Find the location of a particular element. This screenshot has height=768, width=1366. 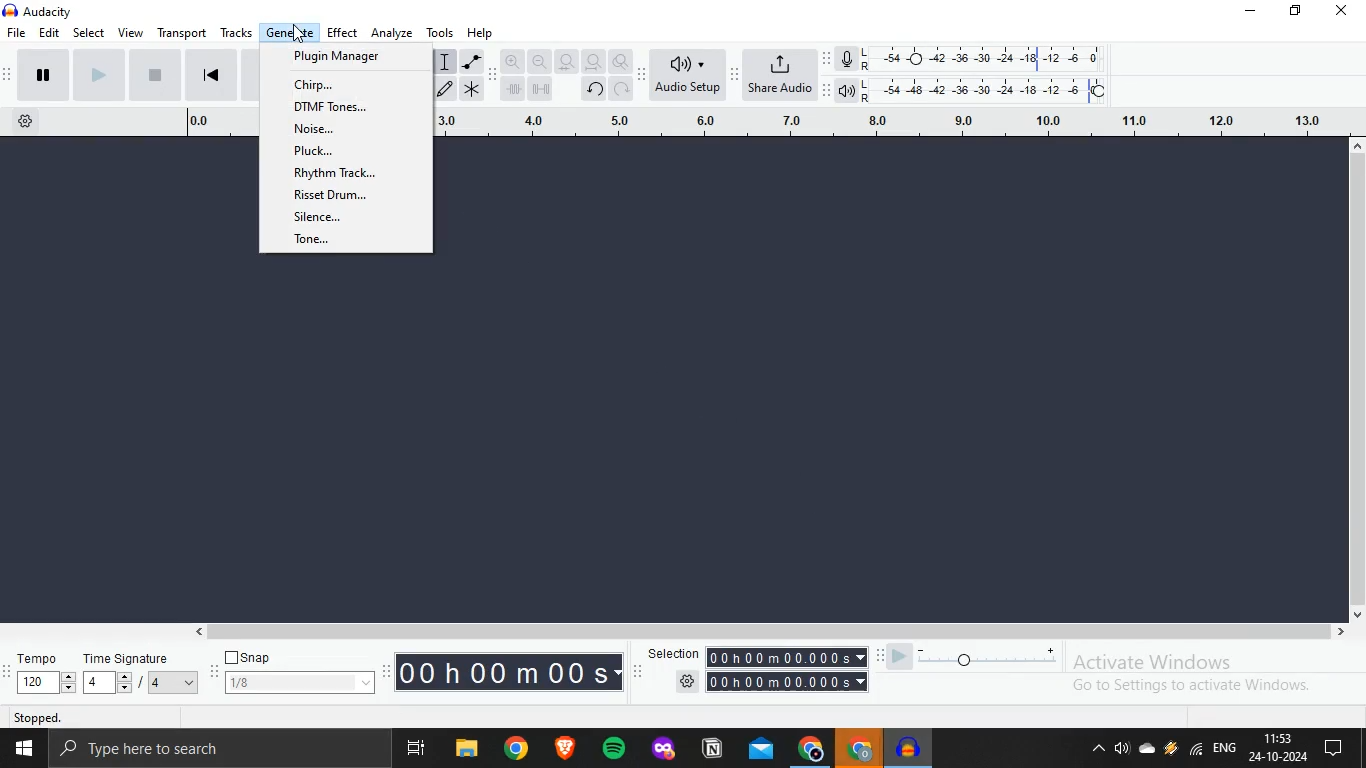

Outlook is located at coordinates (762, 752).